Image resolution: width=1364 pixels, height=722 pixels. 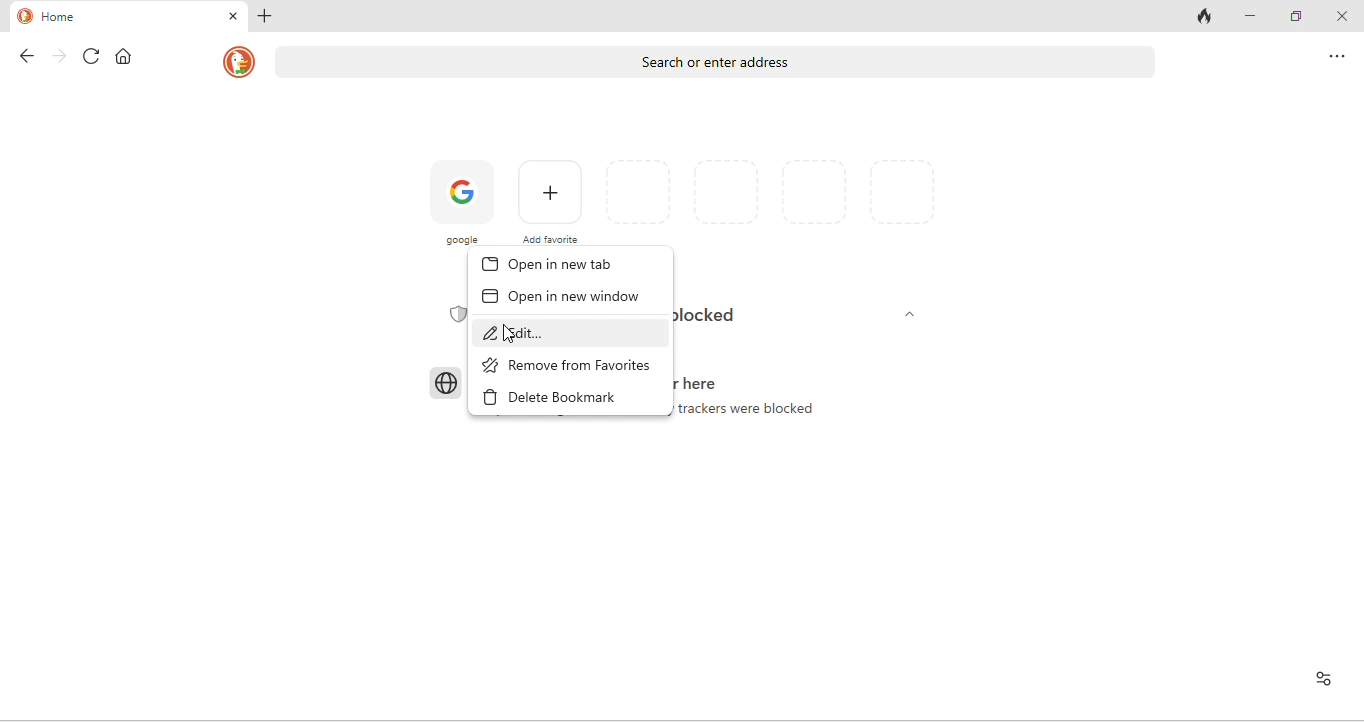 I want to click on add favorites, so click(x=554, y=200).